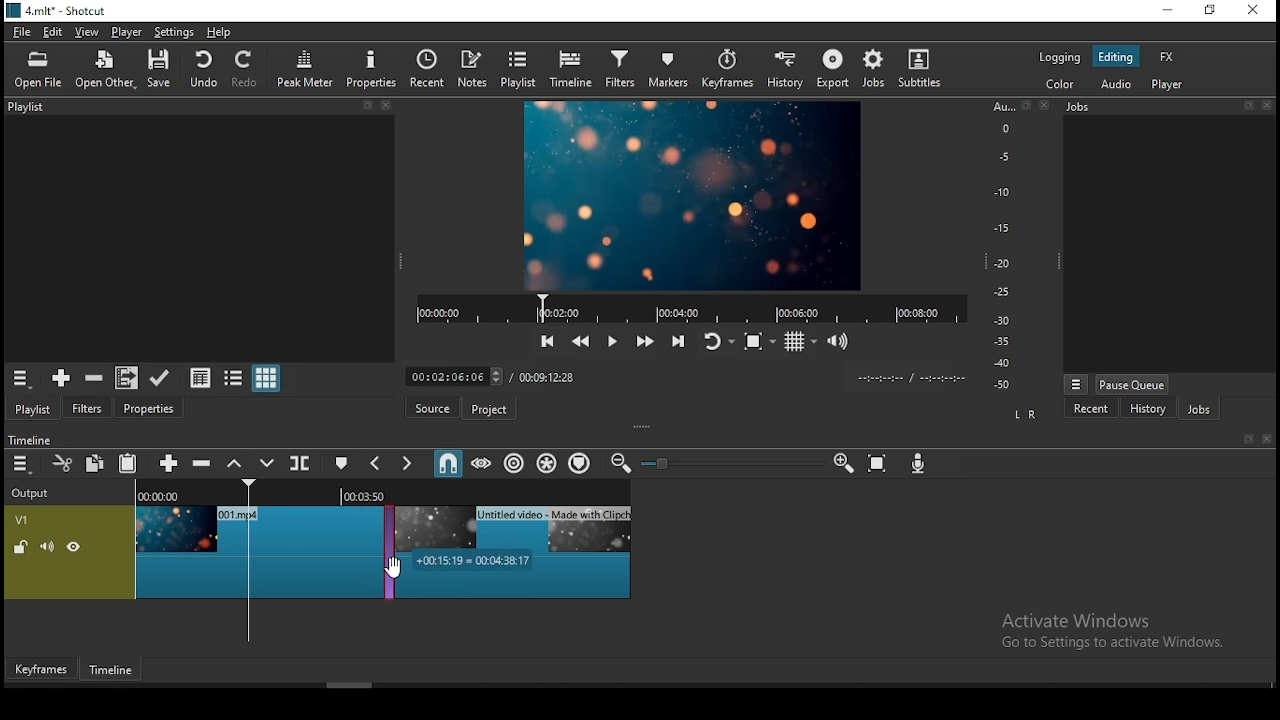 This screenshot has height=720, width=1280. Describe the element at coordinates (613, 338) in the screenshot. I see `play/pause` at that location.